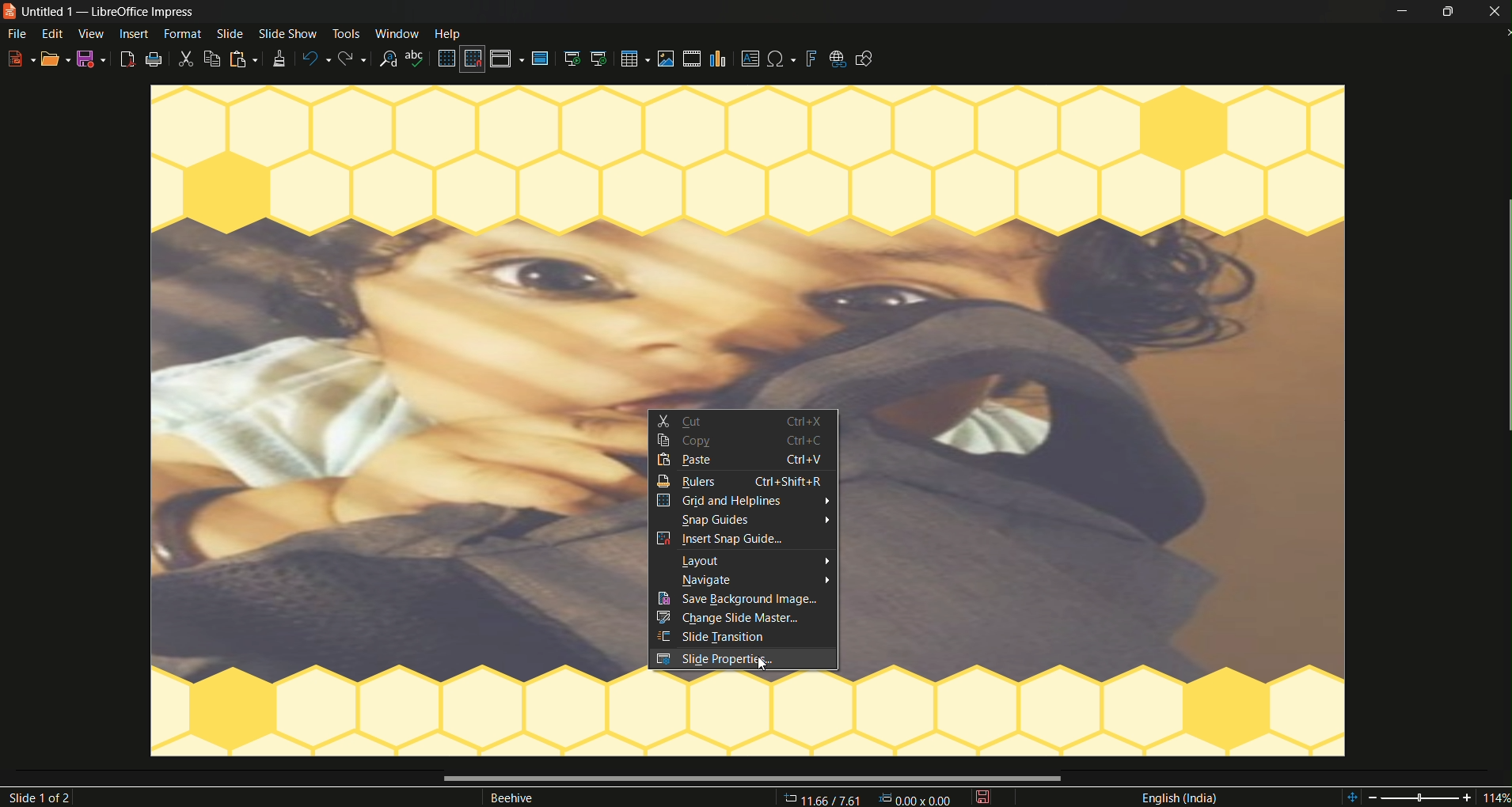 The width and height of the screenshot is (1512, 807). Describe the element at coordinates (452, 33) in the screenshot. I see `help` at that location.